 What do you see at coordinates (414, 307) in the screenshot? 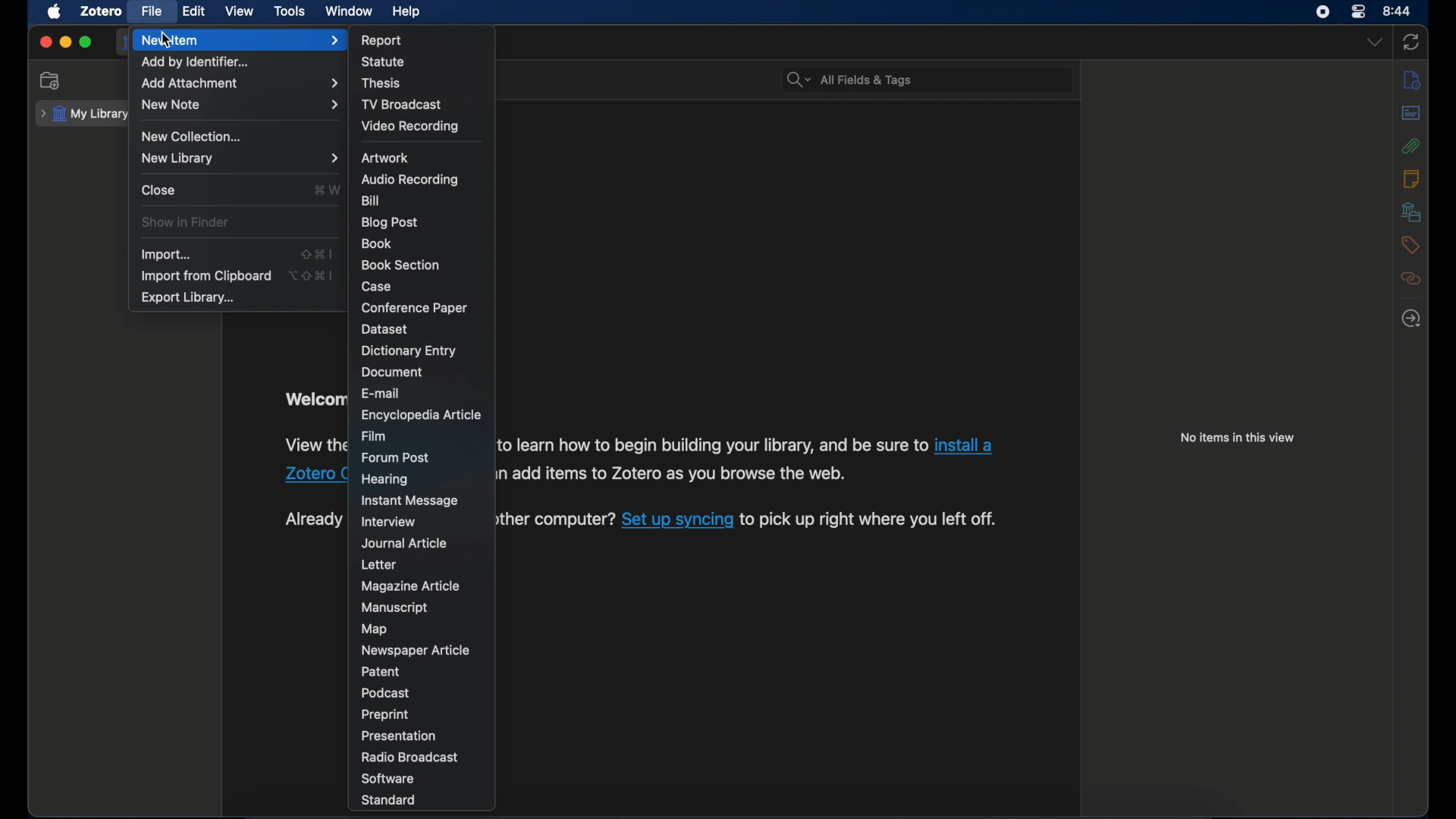
I see `conference paper` at bounding box center [414, 307].